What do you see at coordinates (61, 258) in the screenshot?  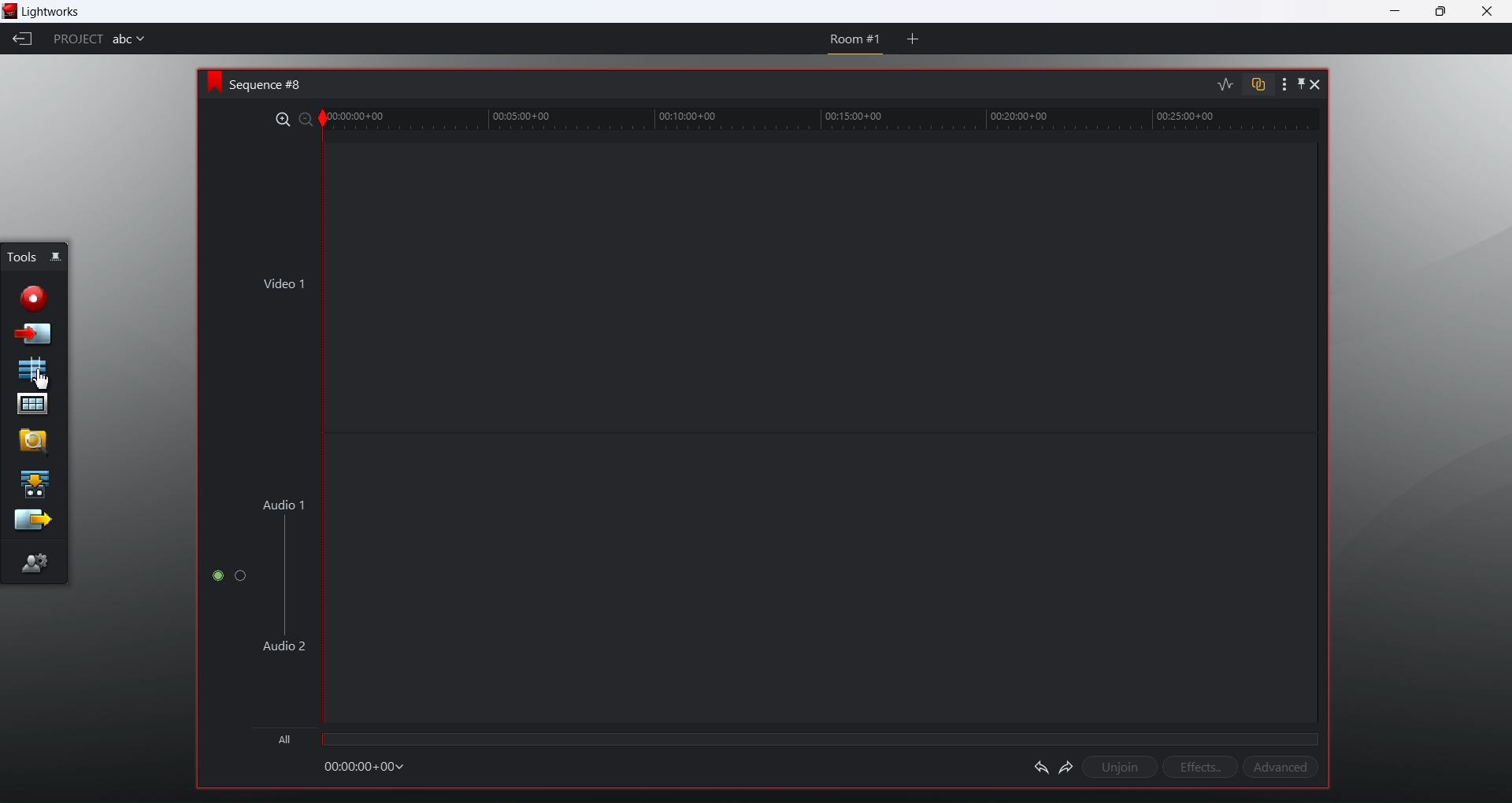 I see `pin this object` at bounding box center [61, 258].